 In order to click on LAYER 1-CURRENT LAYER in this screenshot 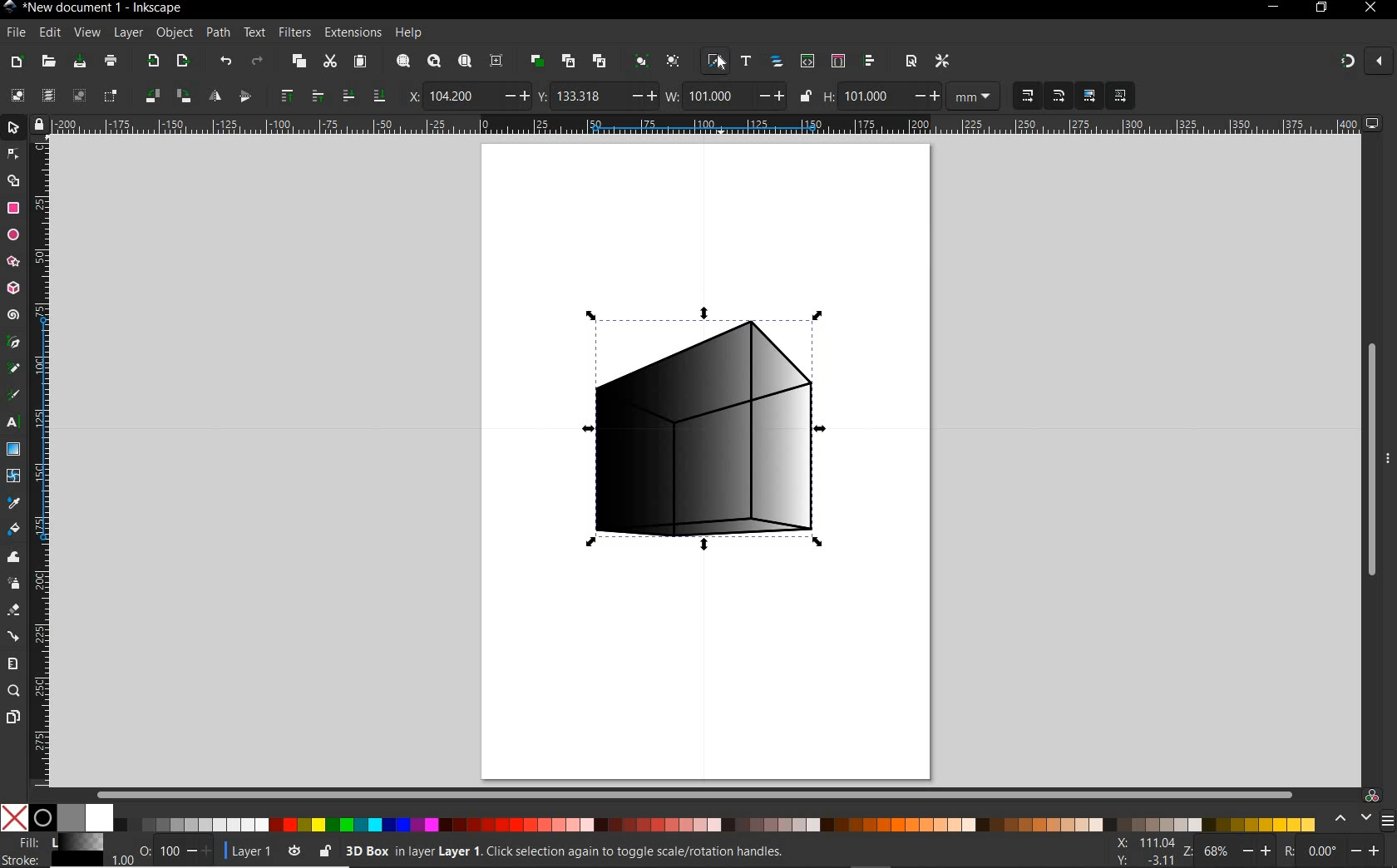, I will do `click(253, 851)`.